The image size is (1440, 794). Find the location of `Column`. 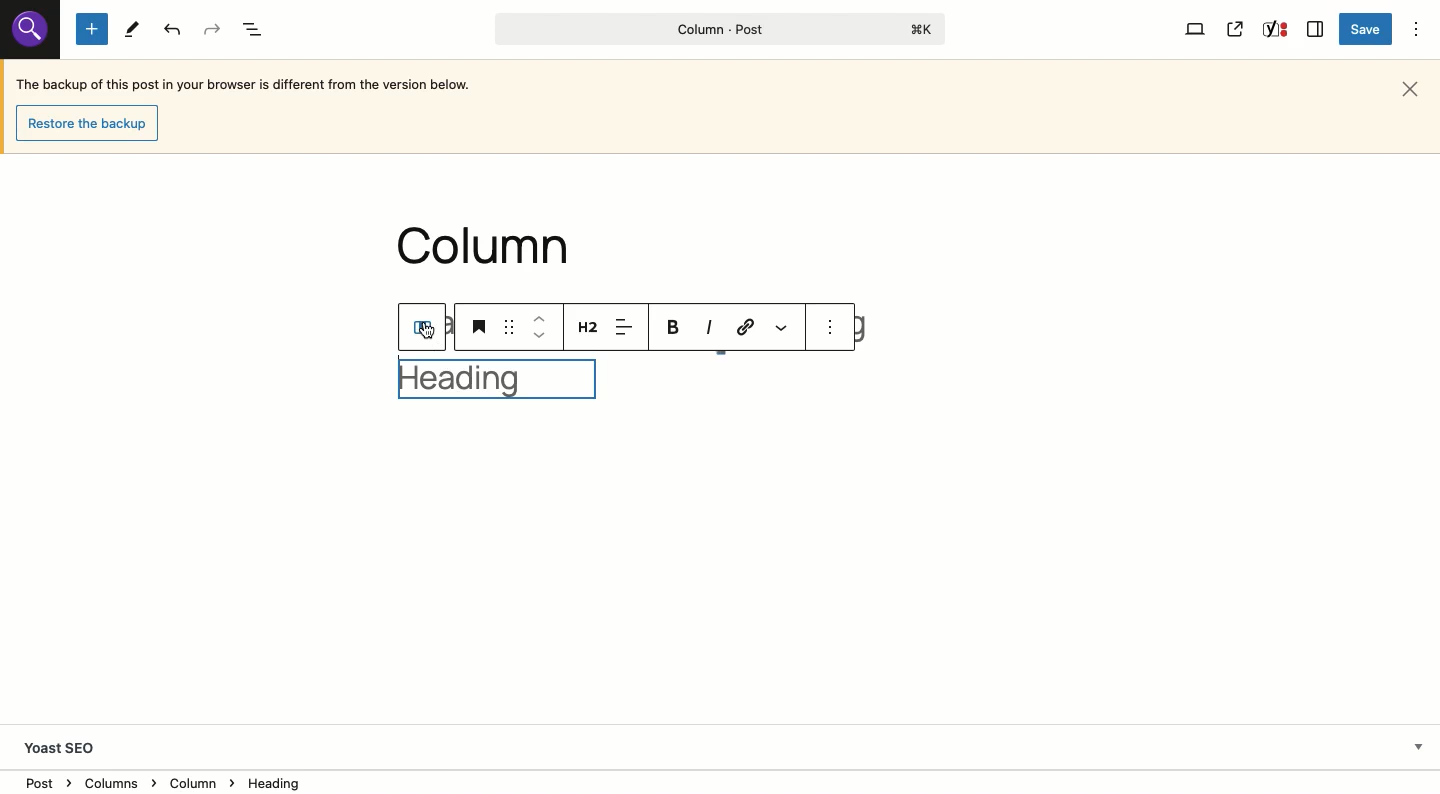

Column is located at coordinates (424, 329).